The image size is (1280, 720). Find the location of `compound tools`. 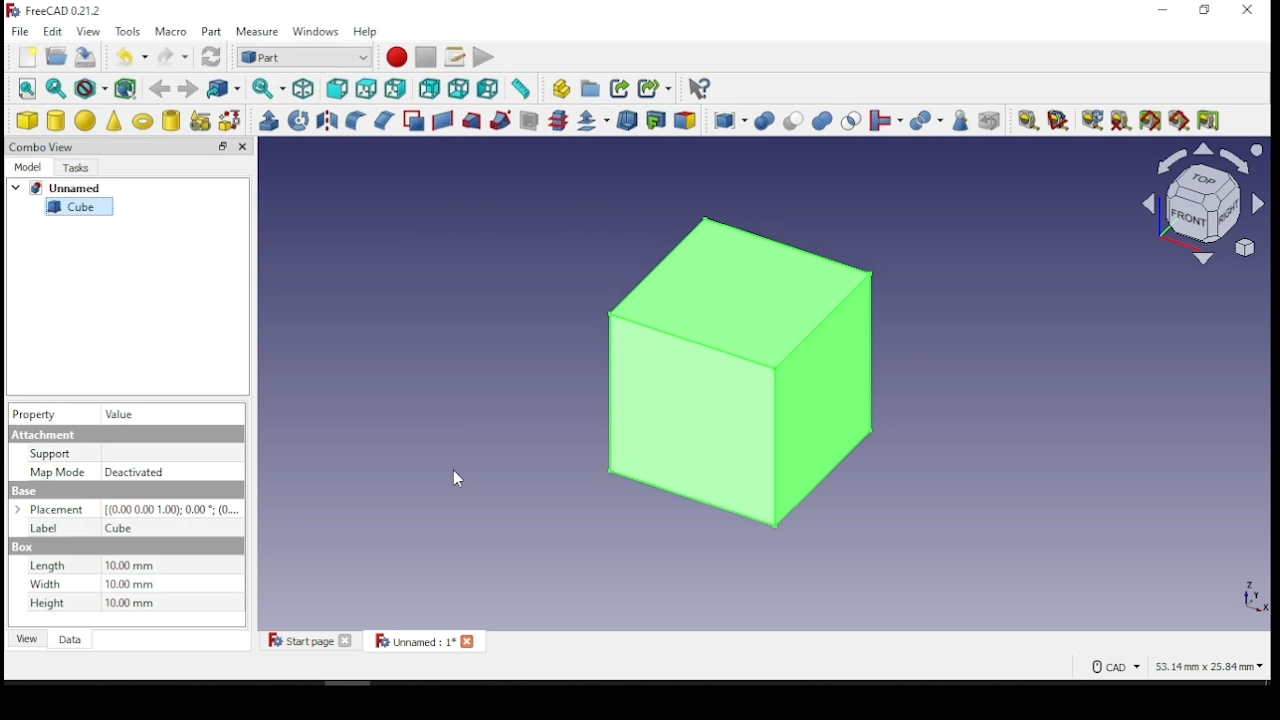

compound tools is located at coordinates (729, 121).